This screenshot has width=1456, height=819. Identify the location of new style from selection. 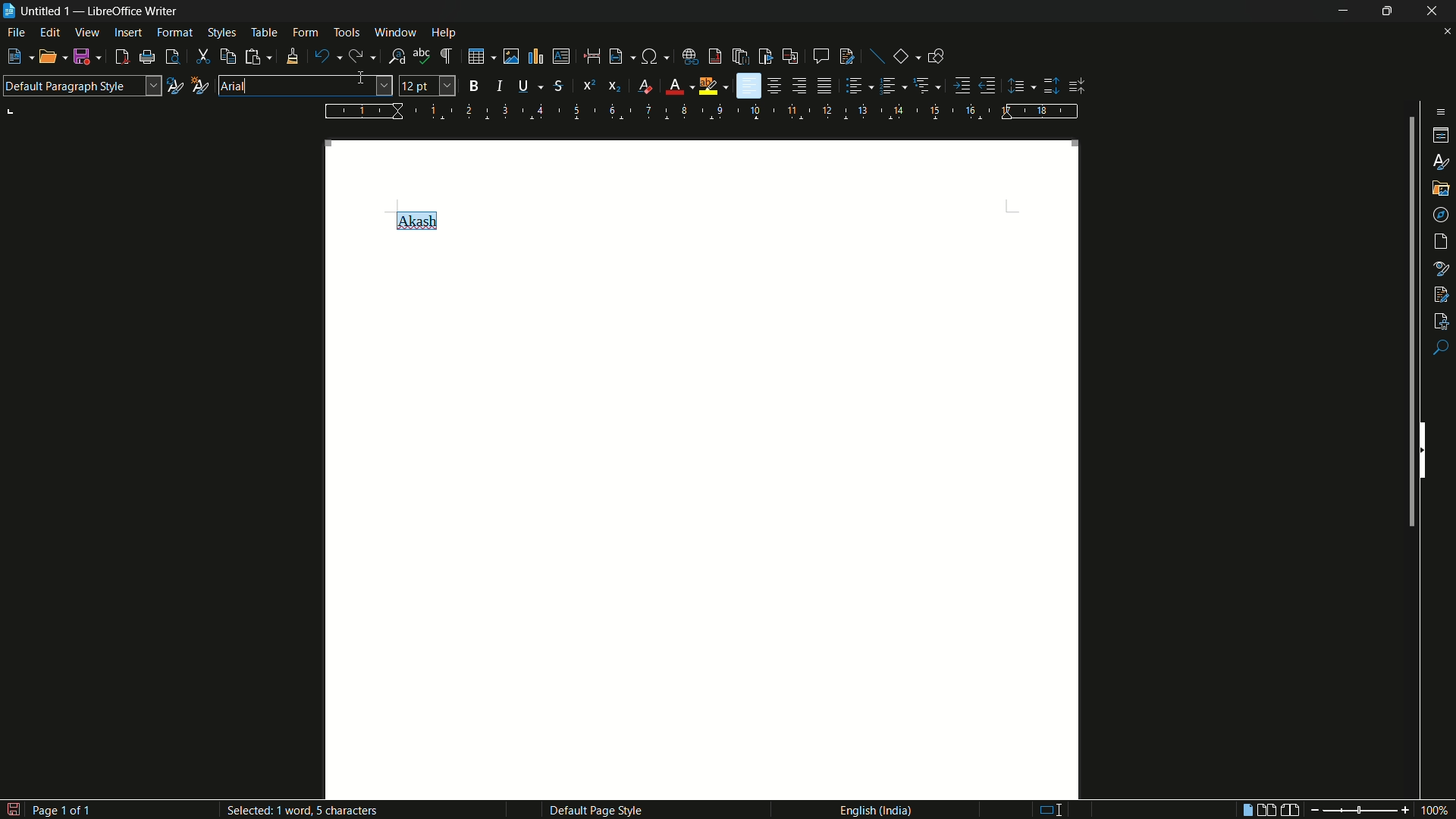
(198, 84).